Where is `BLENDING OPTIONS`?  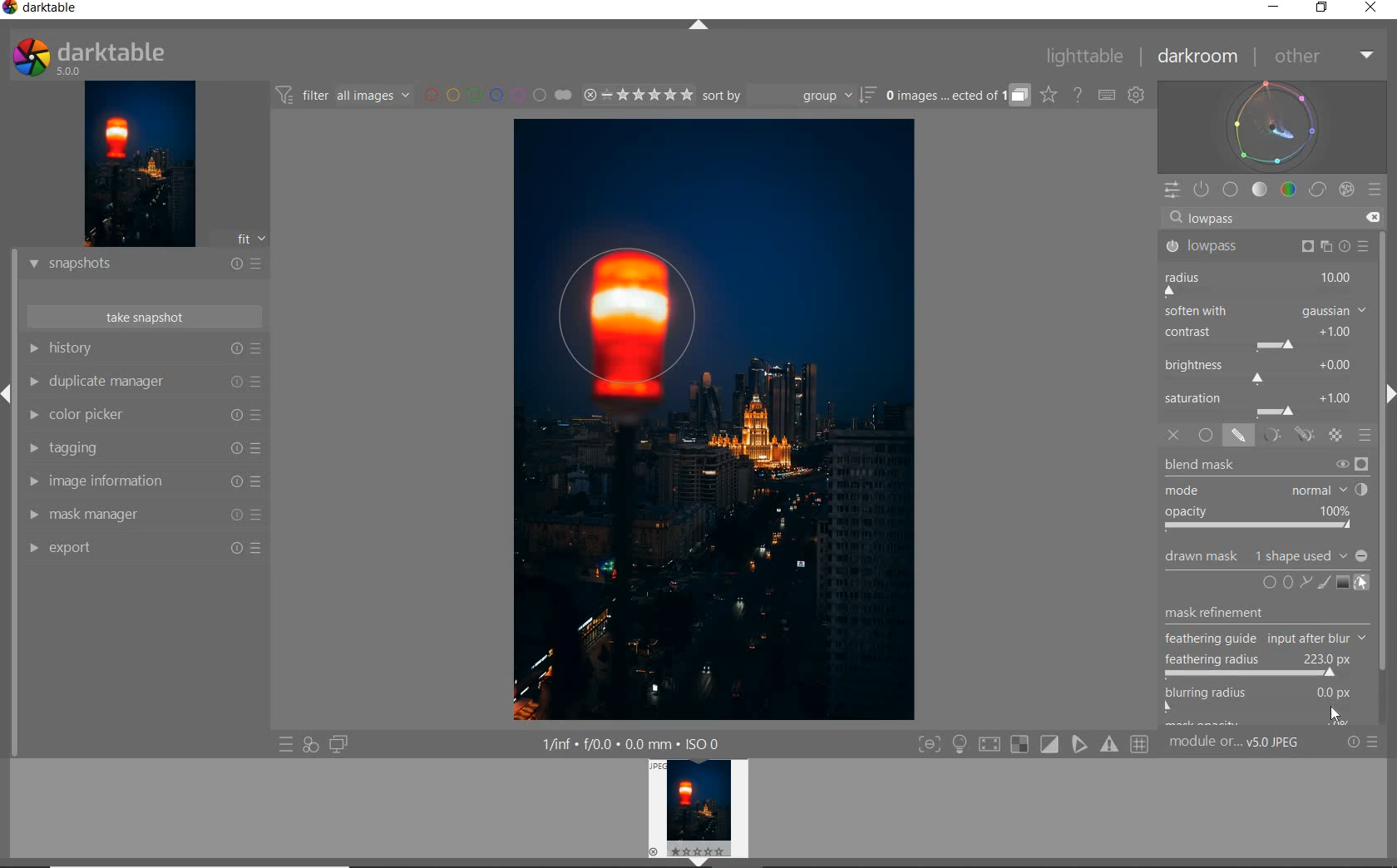
BLENDING OPTIONS is located at coordinates (1366, 436).